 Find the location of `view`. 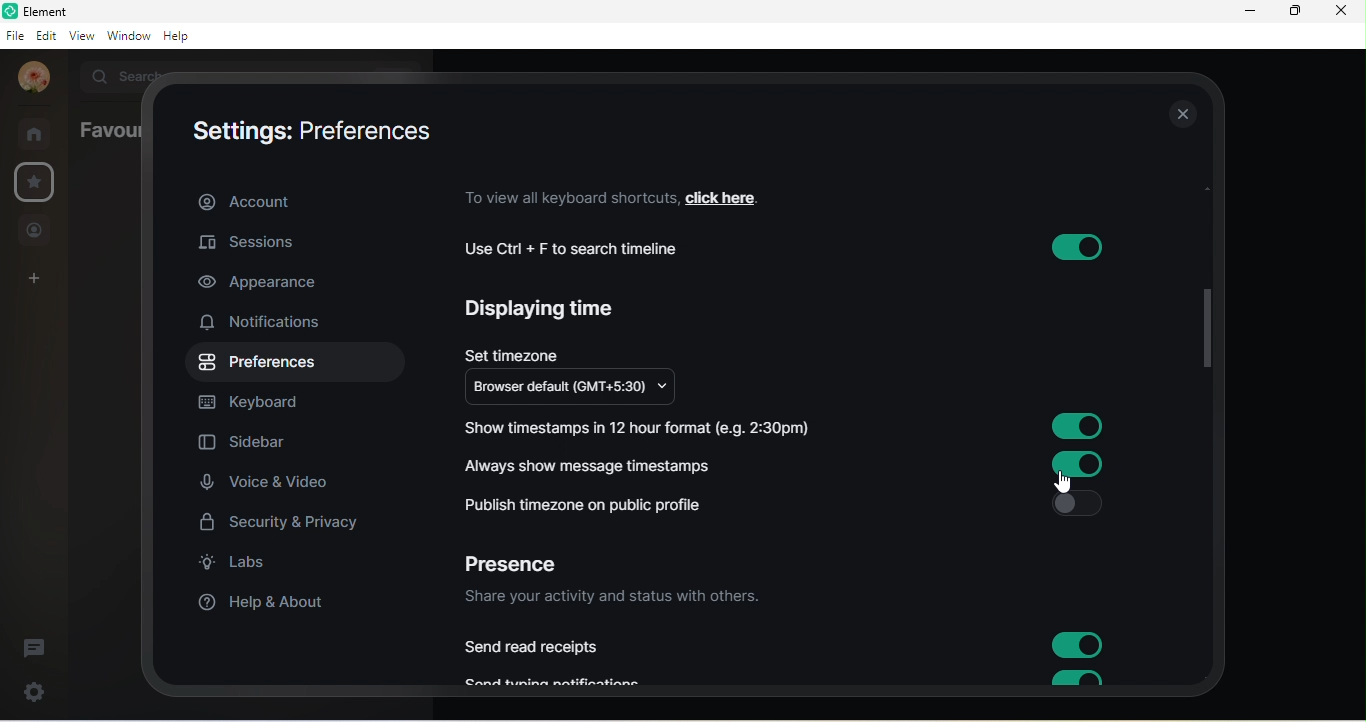

view is located at coordinates (80, 38).